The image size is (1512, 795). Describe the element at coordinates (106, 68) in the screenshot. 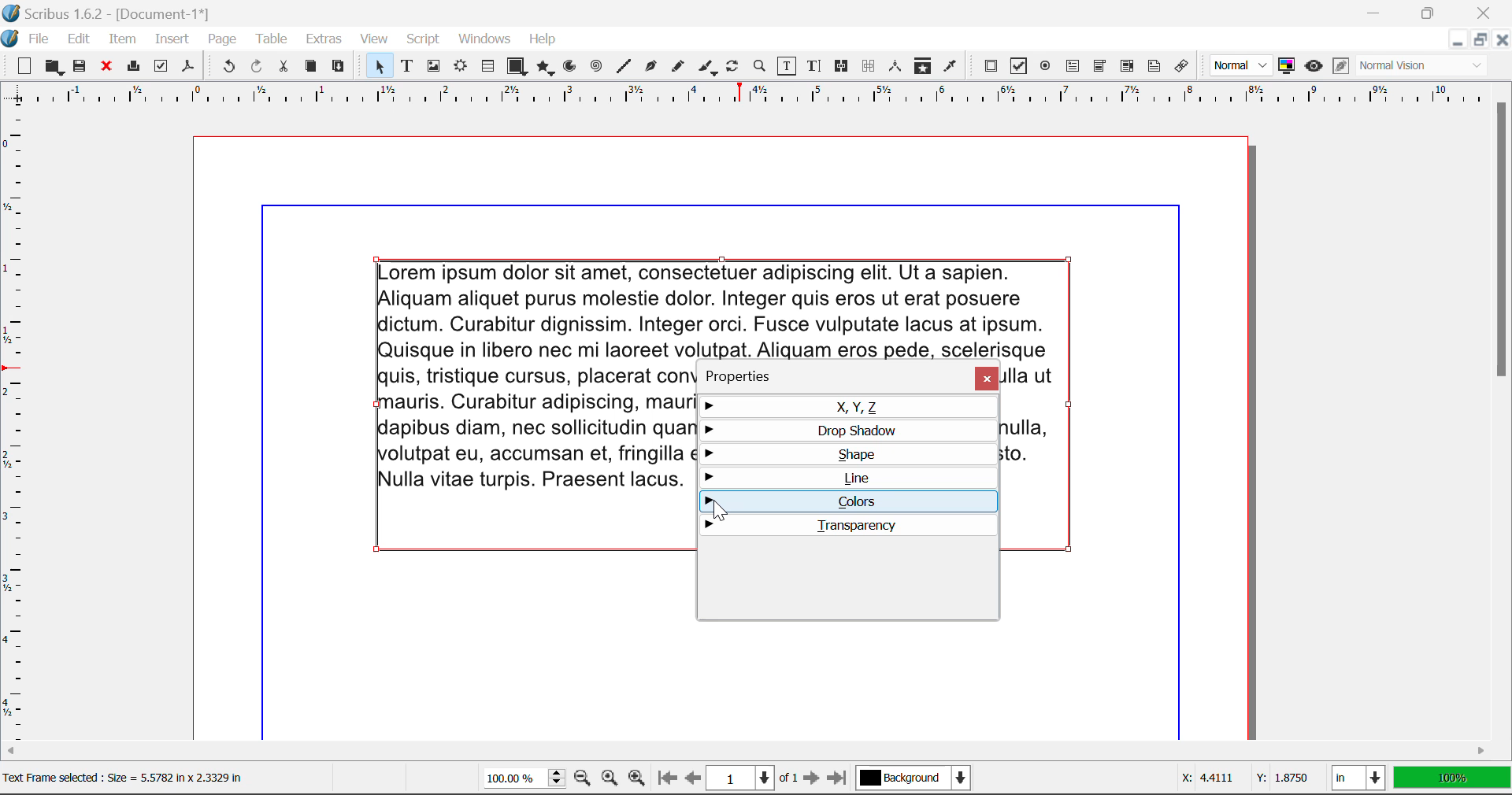

I see `Discard` at that location.